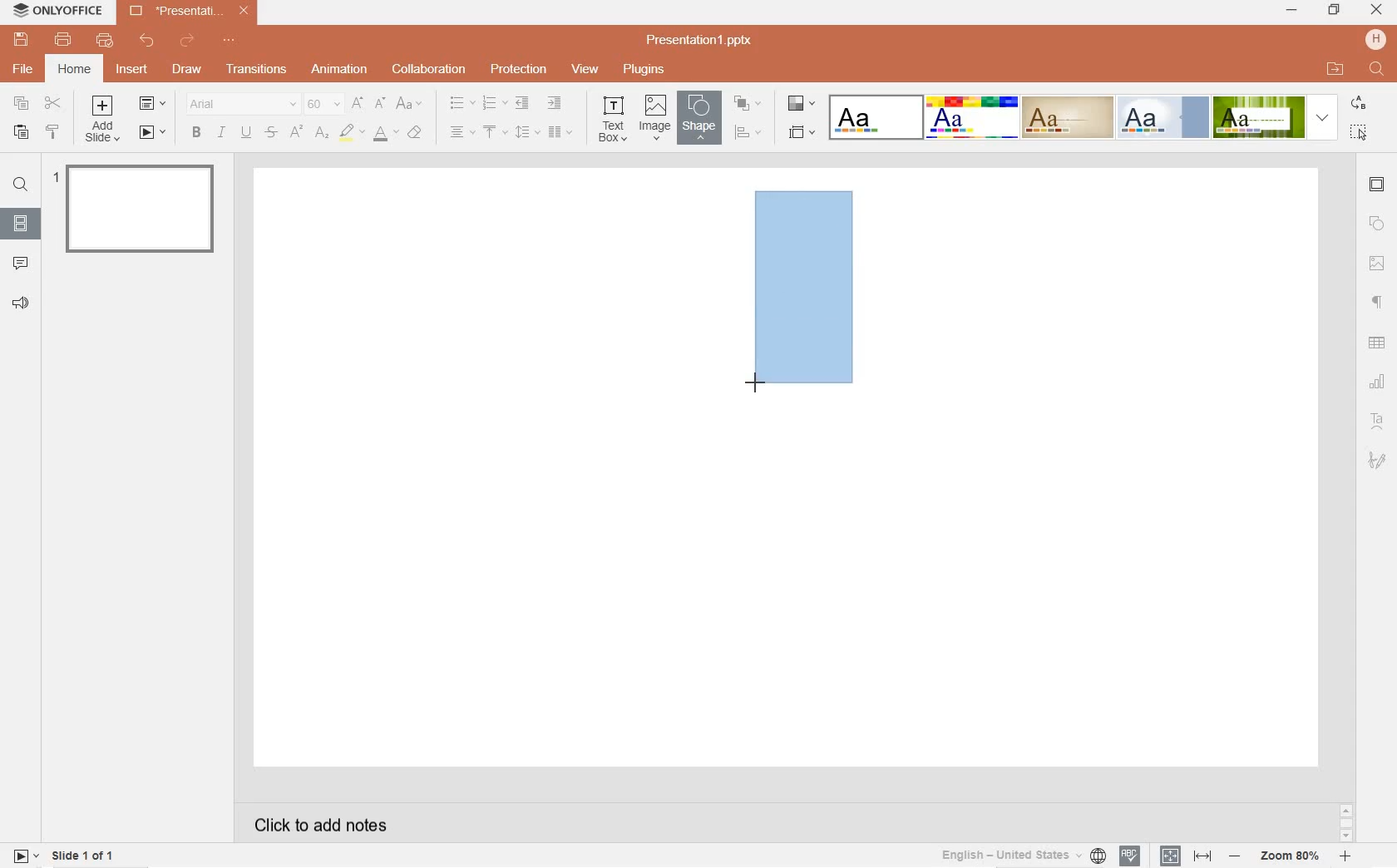 The image size is (1397, 868). Describe the element at coordinates (643, 69) in the screenshot. I see `plugins` at that location.